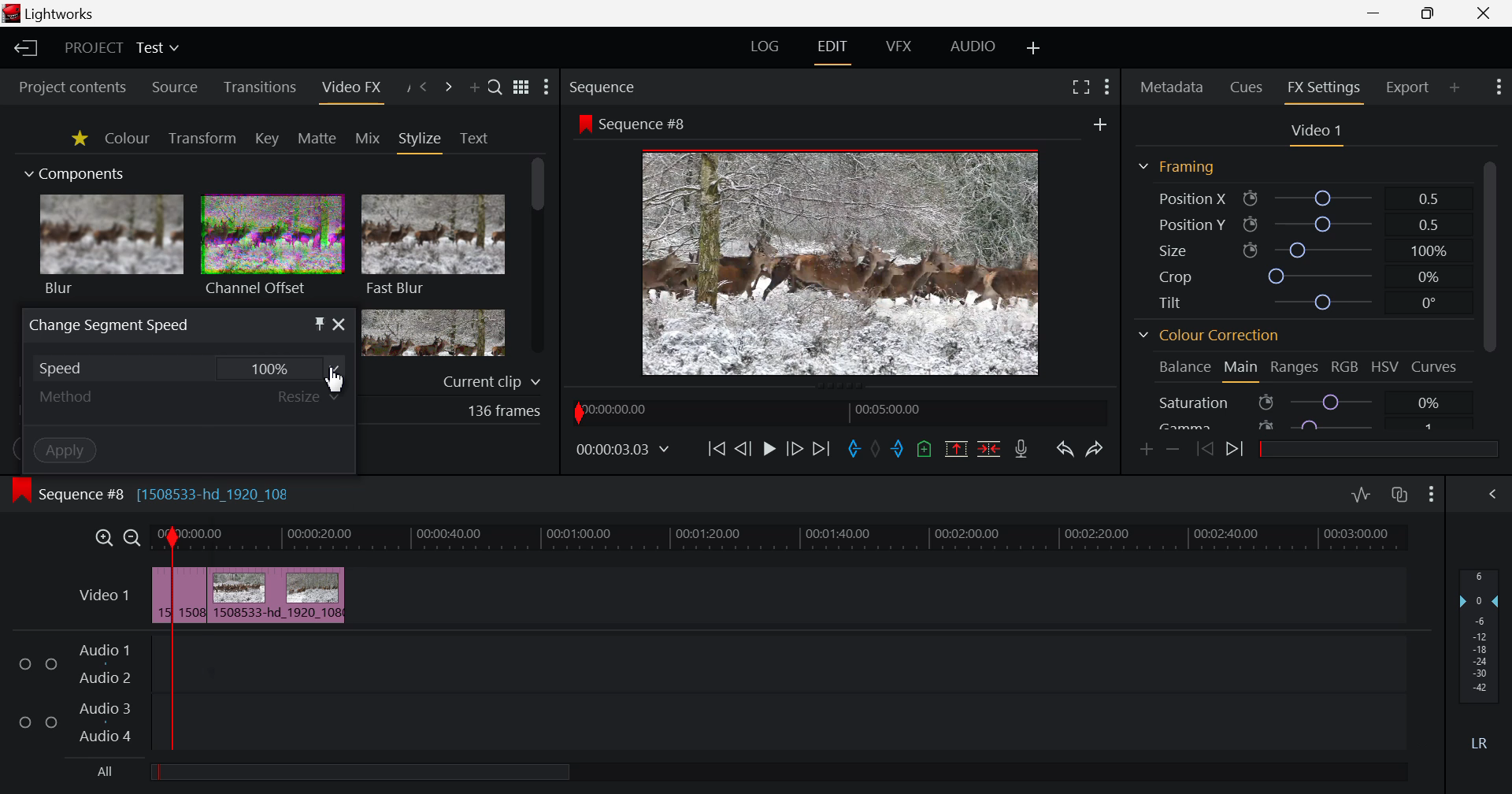  What do you see at coordinates (538, 258) in the screenshot?
I see `Scroll Bar` at bounding box center [538, 258].